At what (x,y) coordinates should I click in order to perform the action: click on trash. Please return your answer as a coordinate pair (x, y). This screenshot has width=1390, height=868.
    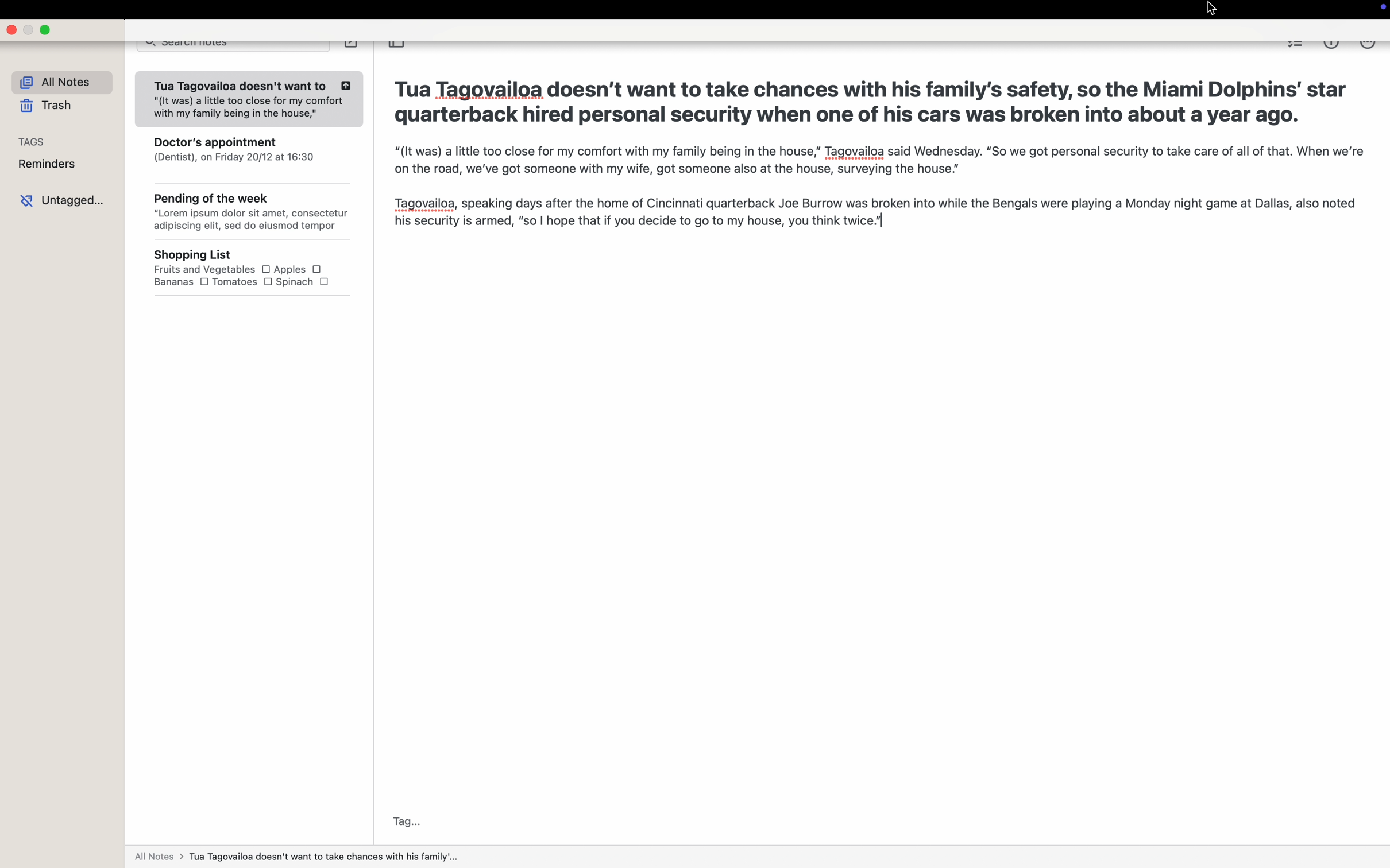
    Looking at the image, I should click on (45, 107).